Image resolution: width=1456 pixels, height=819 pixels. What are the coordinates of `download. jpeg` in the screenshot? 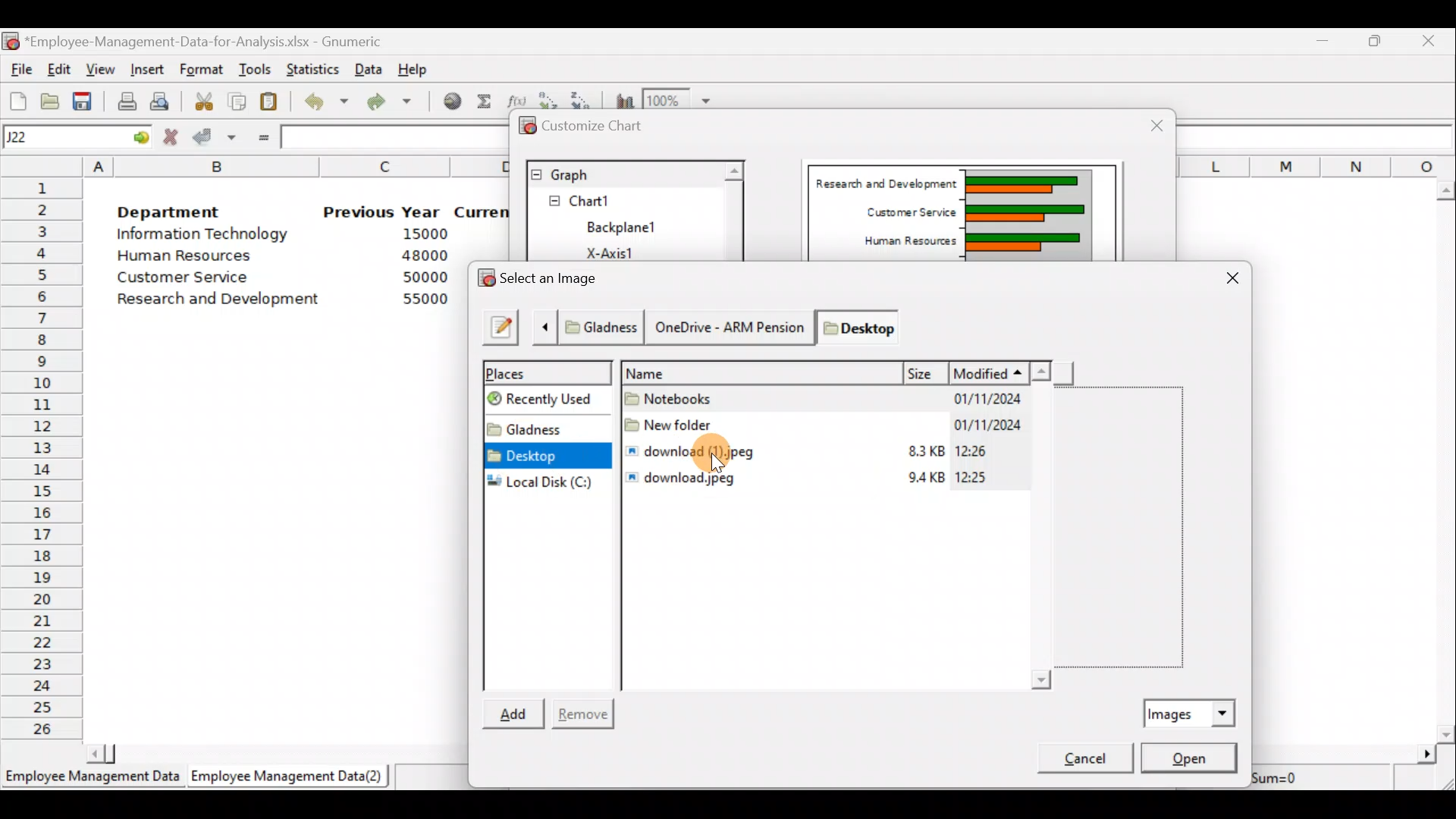 It's located at (682, 479).